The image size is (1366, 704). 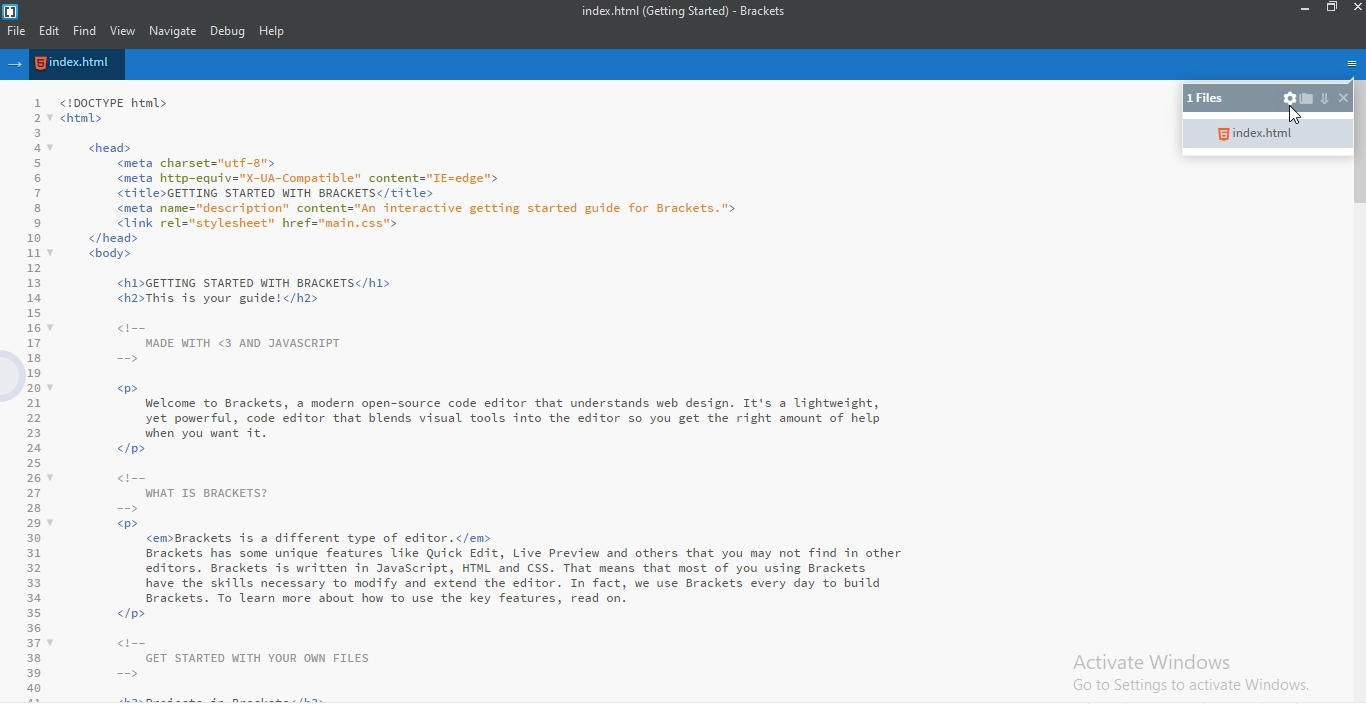 I want to click on Line Number, so click(x=26, y=397).